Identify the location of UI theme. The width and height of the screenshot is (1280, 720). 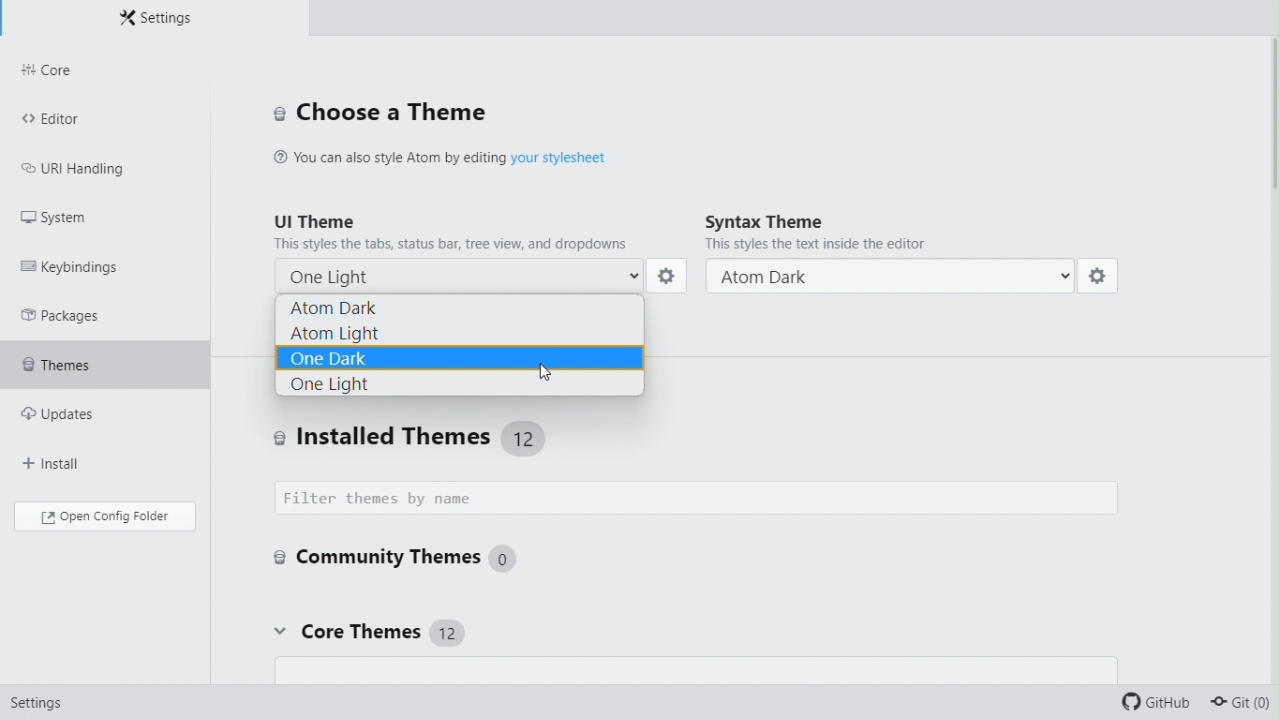
(456, 231).